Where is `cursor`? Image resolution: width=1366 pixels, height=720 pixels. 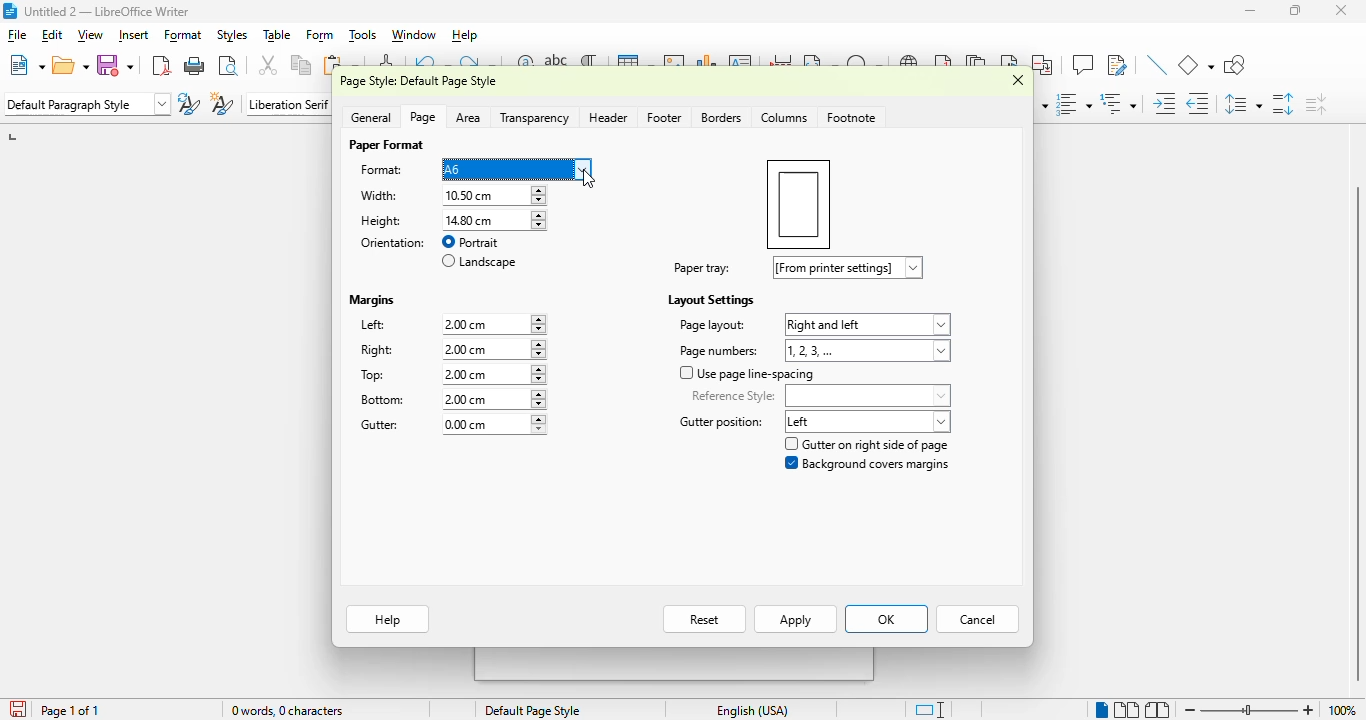 cursor is located at coordinates (588, 179).